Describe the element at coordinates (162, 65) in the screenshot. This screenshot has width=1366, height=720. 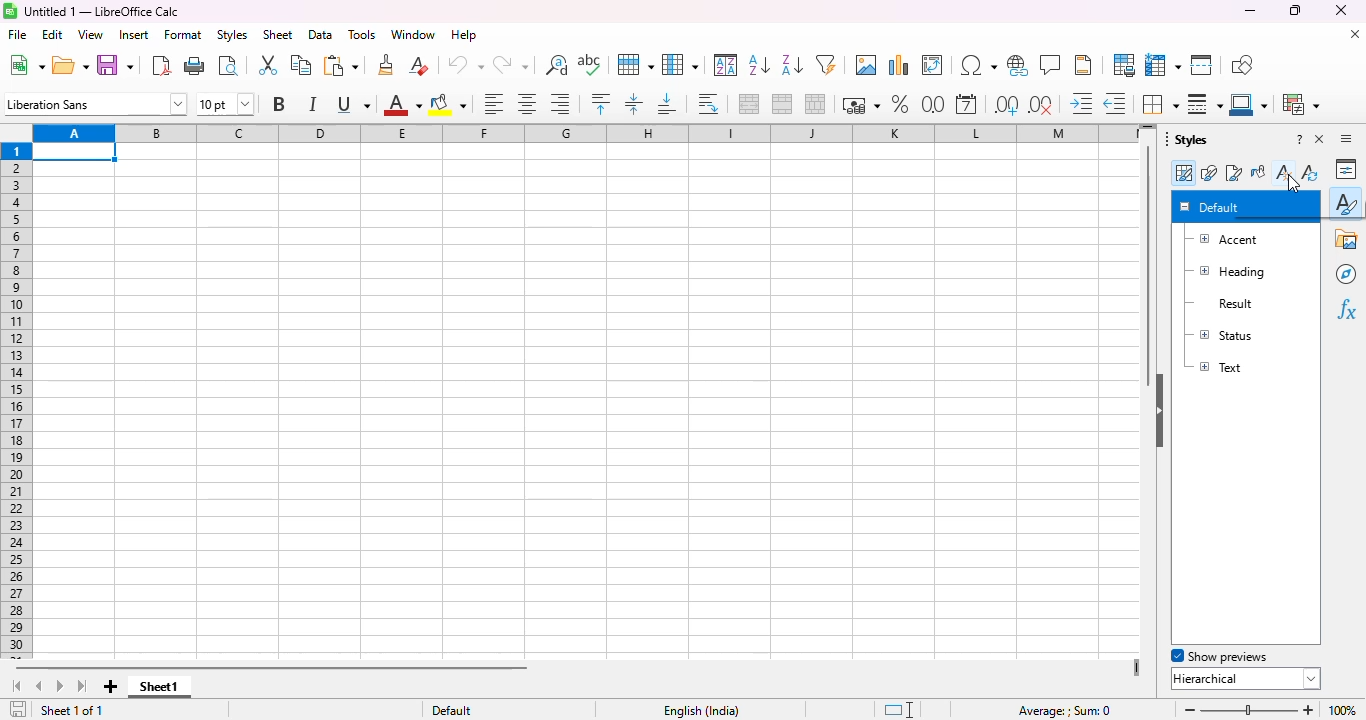
I see `export directly as PDF` at that location.